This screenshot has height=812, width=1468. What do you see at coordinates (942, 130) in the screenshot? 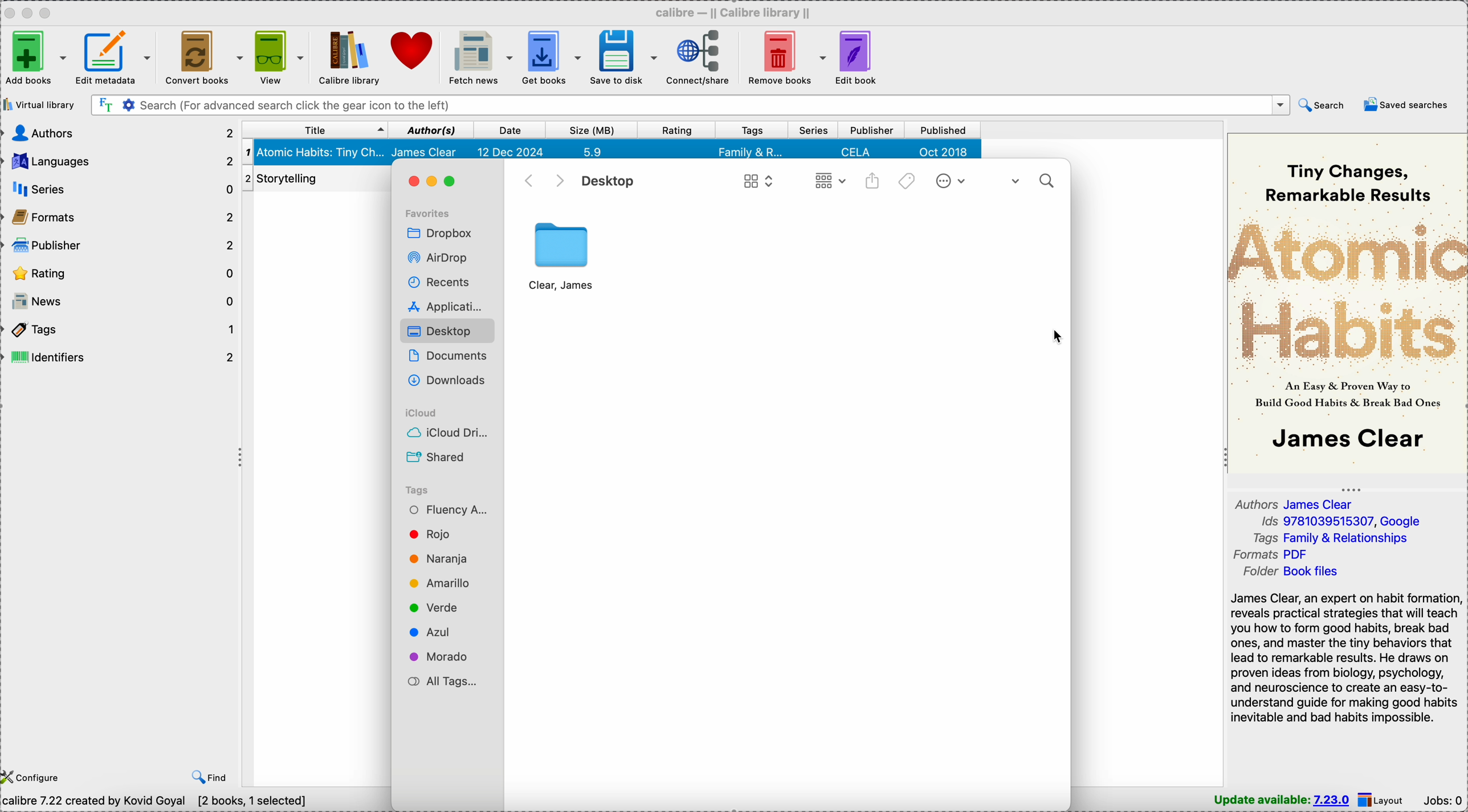
I see `published` at bounding box center [942, 130].